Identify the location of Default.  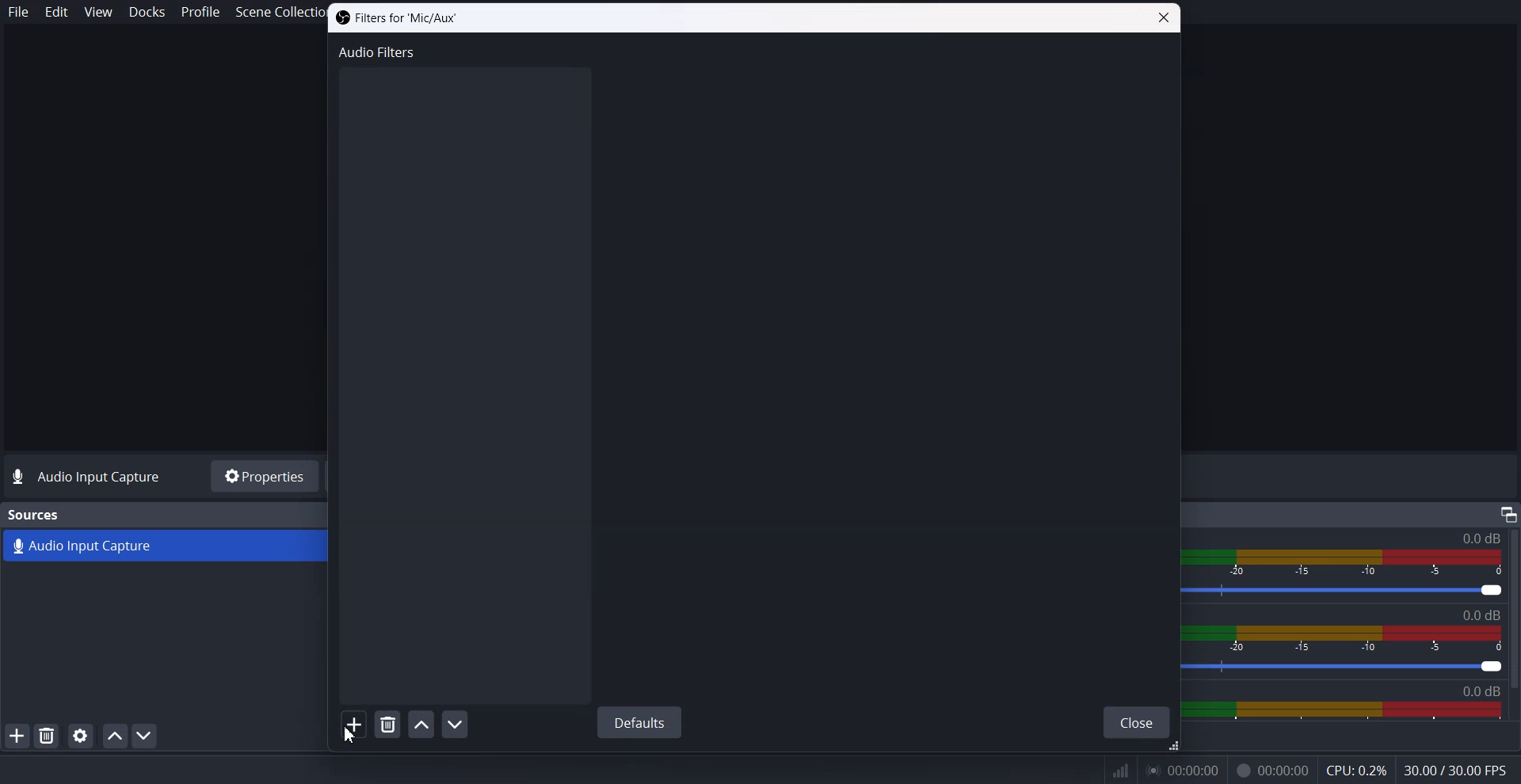
(639, 721).